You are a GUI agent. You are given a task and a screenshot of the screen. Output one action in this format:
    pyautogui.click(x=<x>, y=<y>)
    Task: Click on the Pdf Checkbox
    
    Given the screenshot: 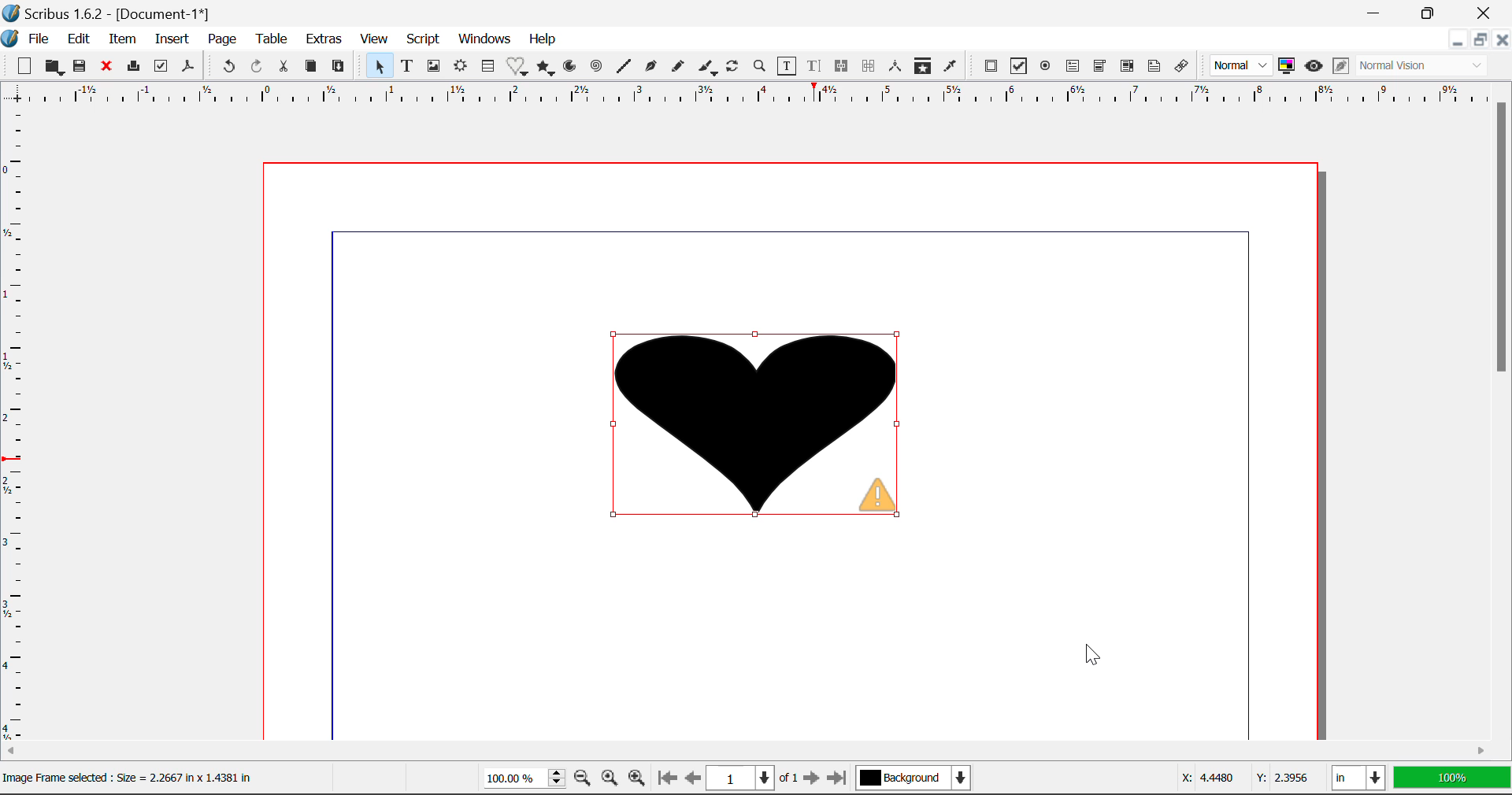 What is the action you would take?
    pyautogui.click(x=1021, y=68)
    